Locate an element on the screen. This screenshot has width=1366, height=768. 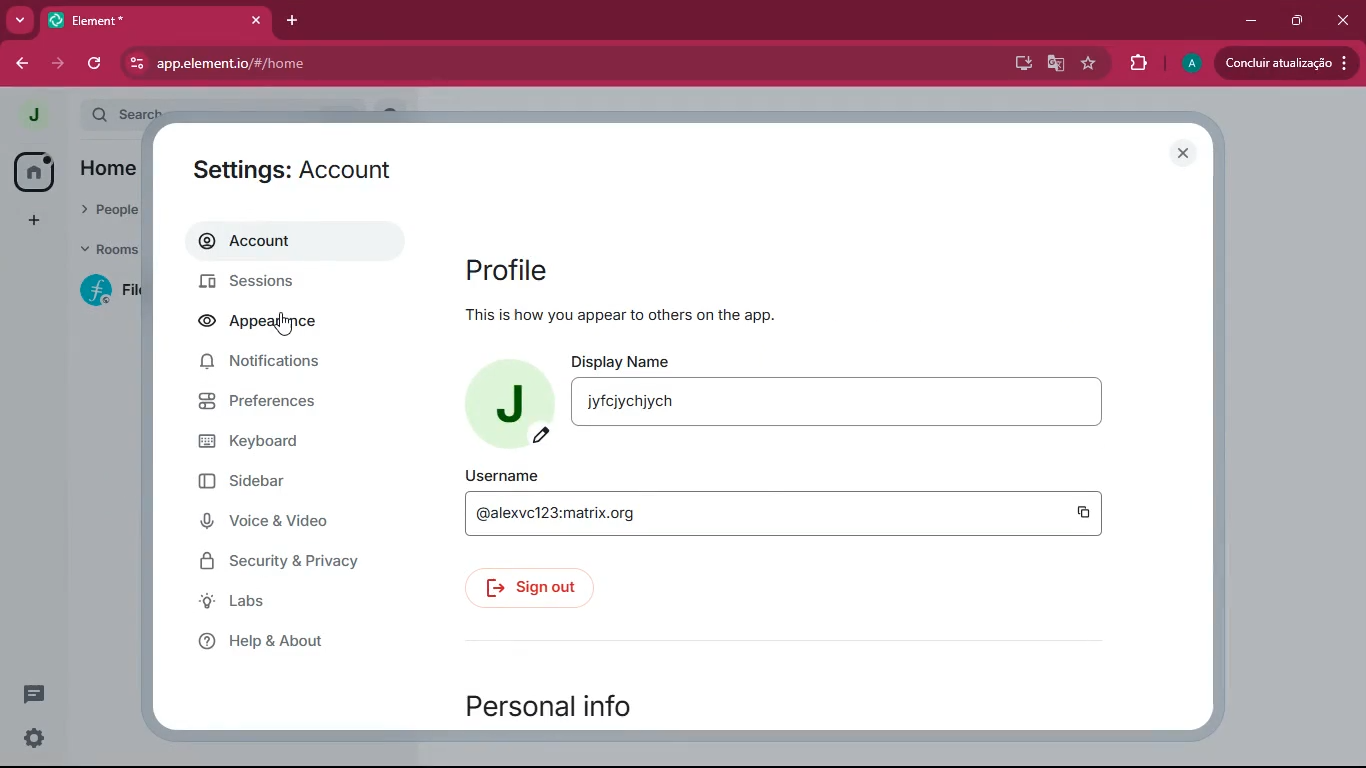
close is located at coordinates (1344, 15).